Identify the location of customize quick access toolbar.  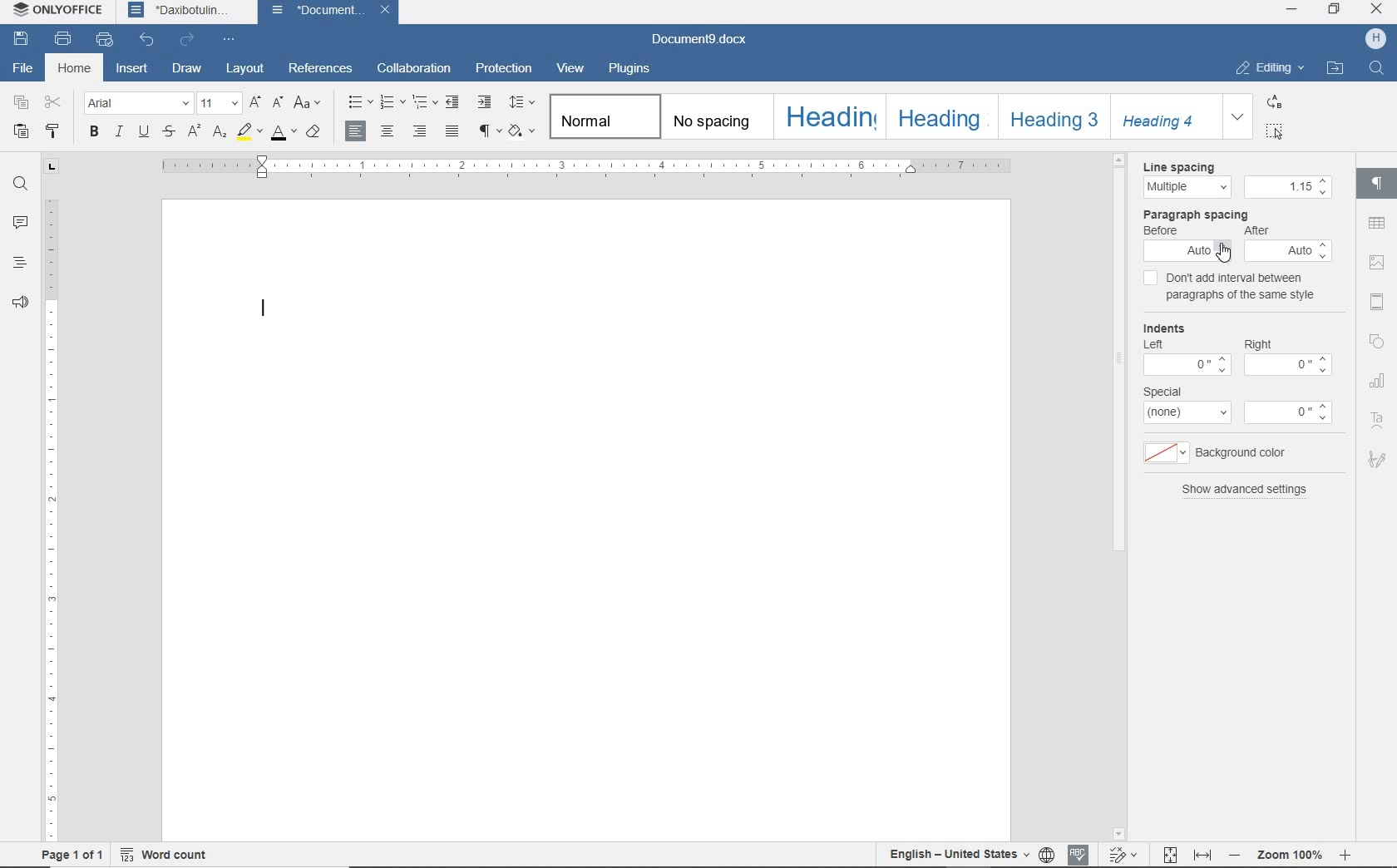
(230, 40).